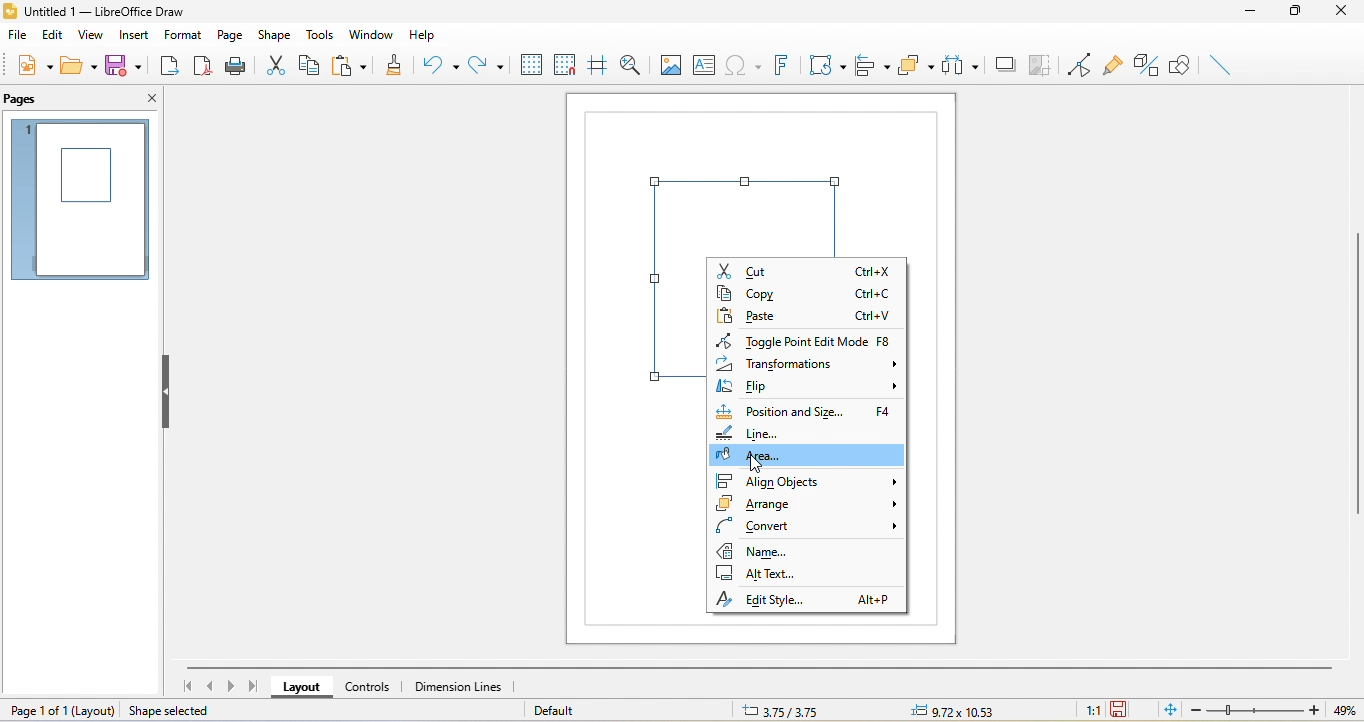 This screenshot has width=1364, height=722. Describe the element at coordinates (369, 685) in the screenshot. I see `controls` at that location.